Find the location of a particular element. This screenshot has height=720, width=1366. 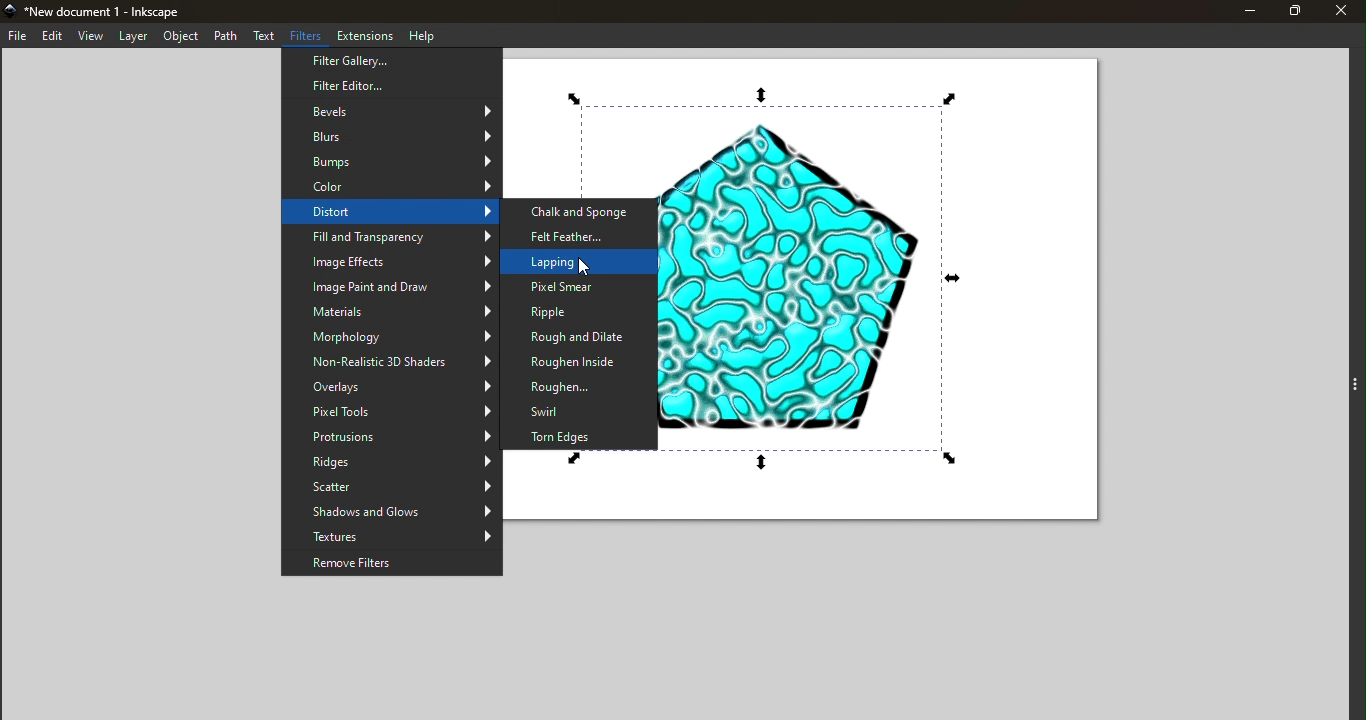

Minimize is located at coordinates (1244, 11).